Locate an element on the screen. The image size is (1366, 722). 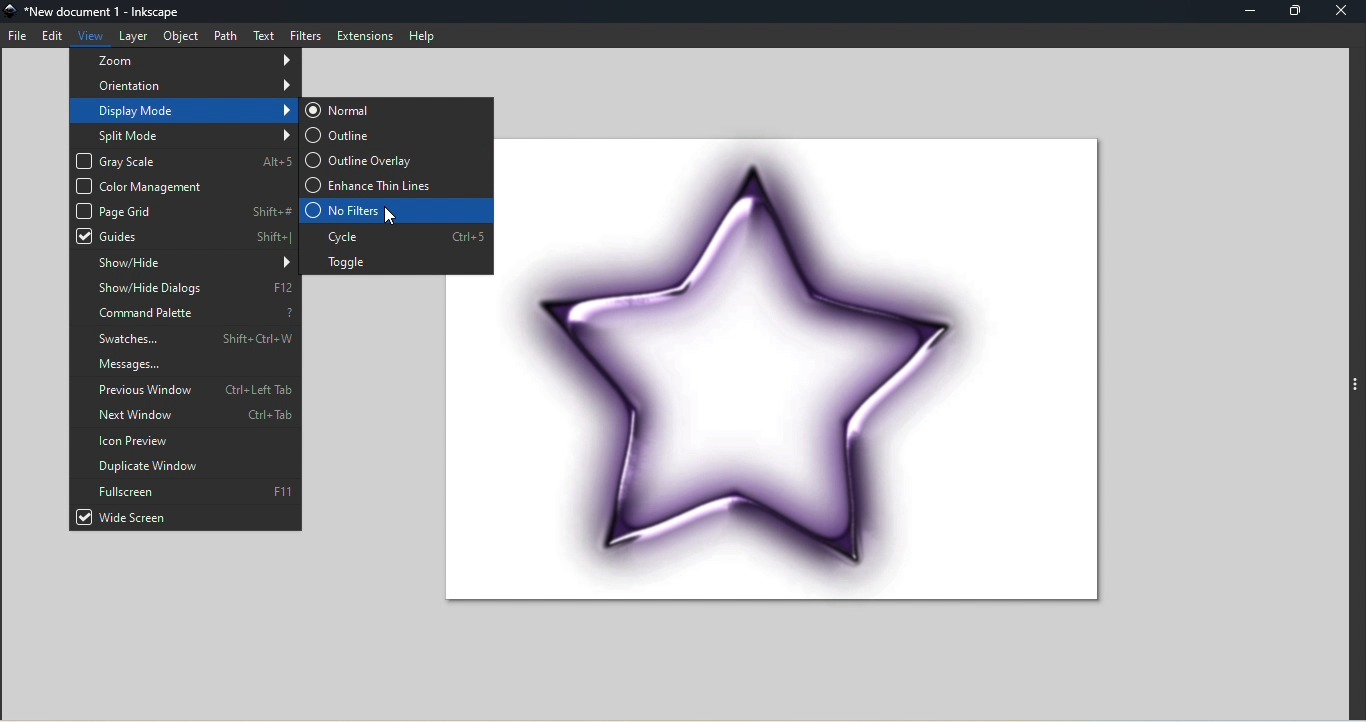
Icon preview is located at coordinates (187, 439).